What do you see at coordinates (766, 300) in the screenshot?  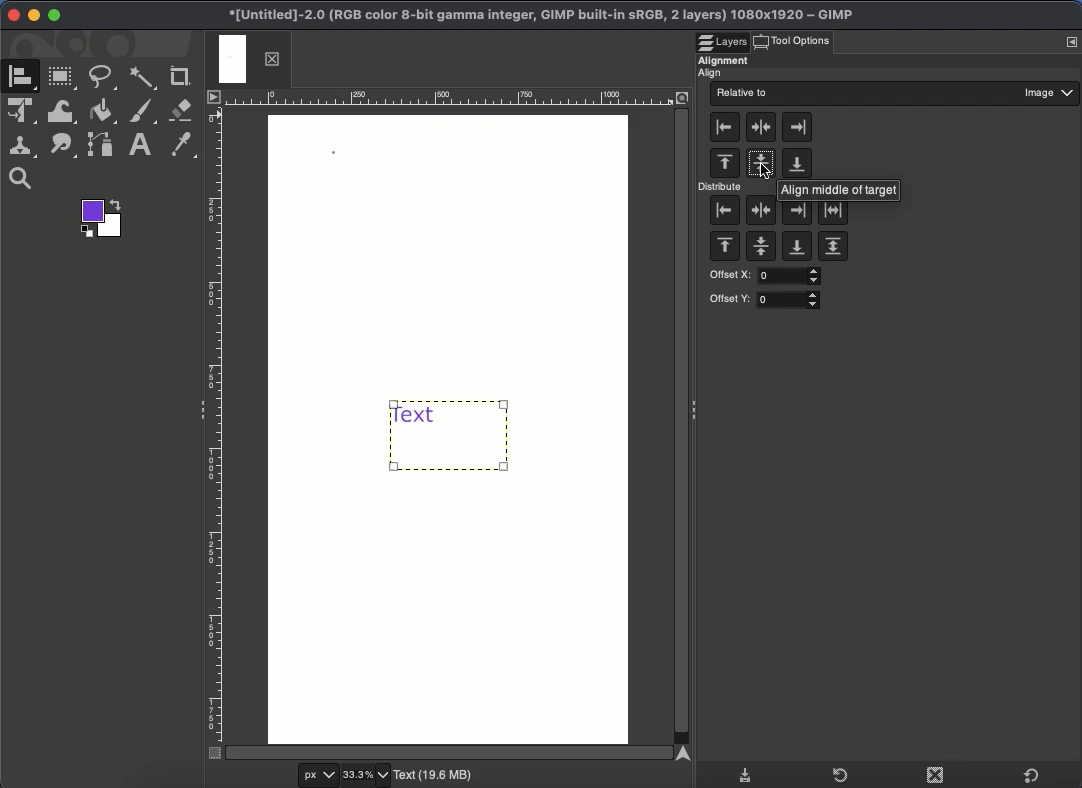 I see `Offset Y:` at bounding box center [766, 300].